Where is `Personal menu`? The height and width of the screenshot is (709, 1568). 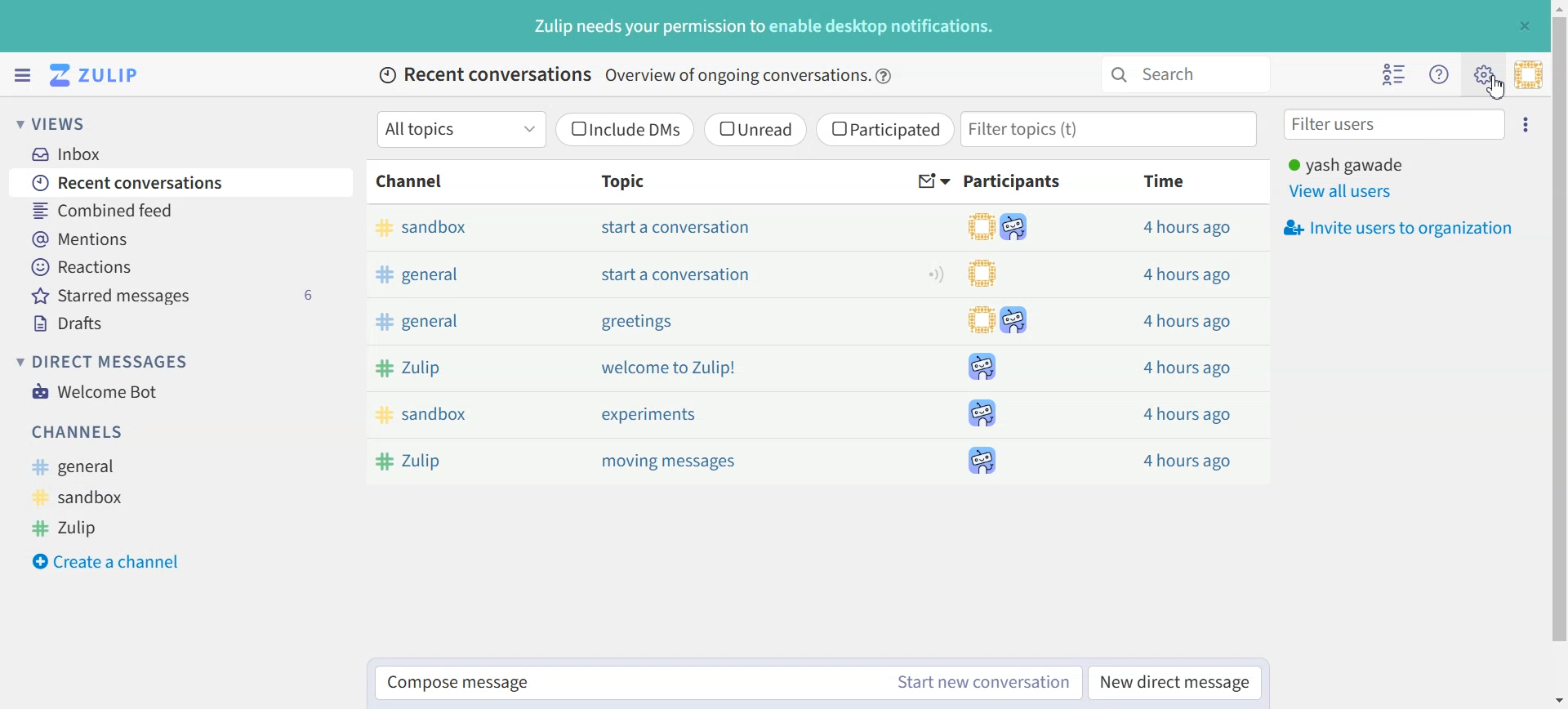 Personal menu is located at coordinates (1528, 74).